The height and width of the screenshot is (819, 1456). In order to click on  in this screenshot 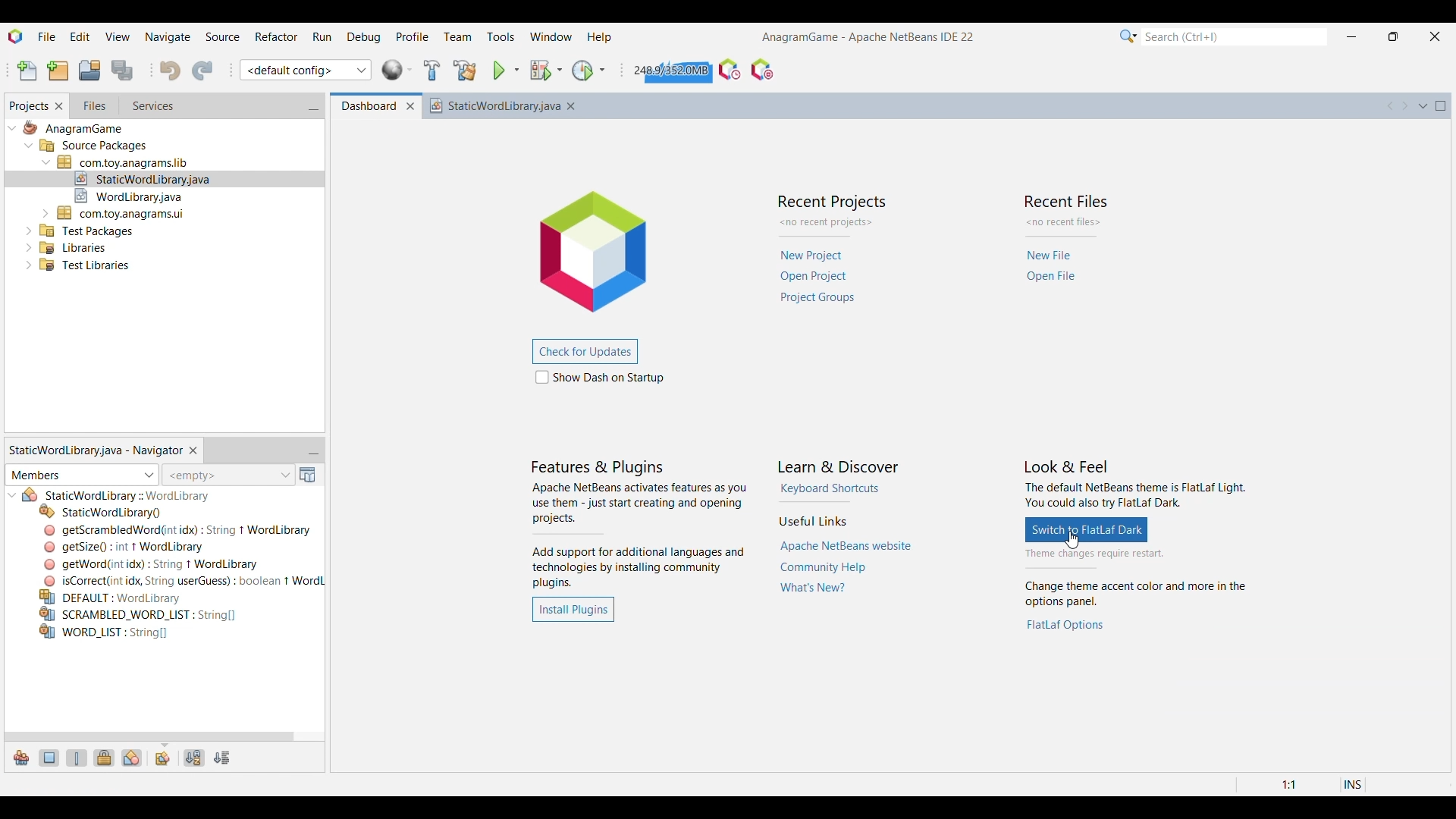, I will do `click(144, 177)`.